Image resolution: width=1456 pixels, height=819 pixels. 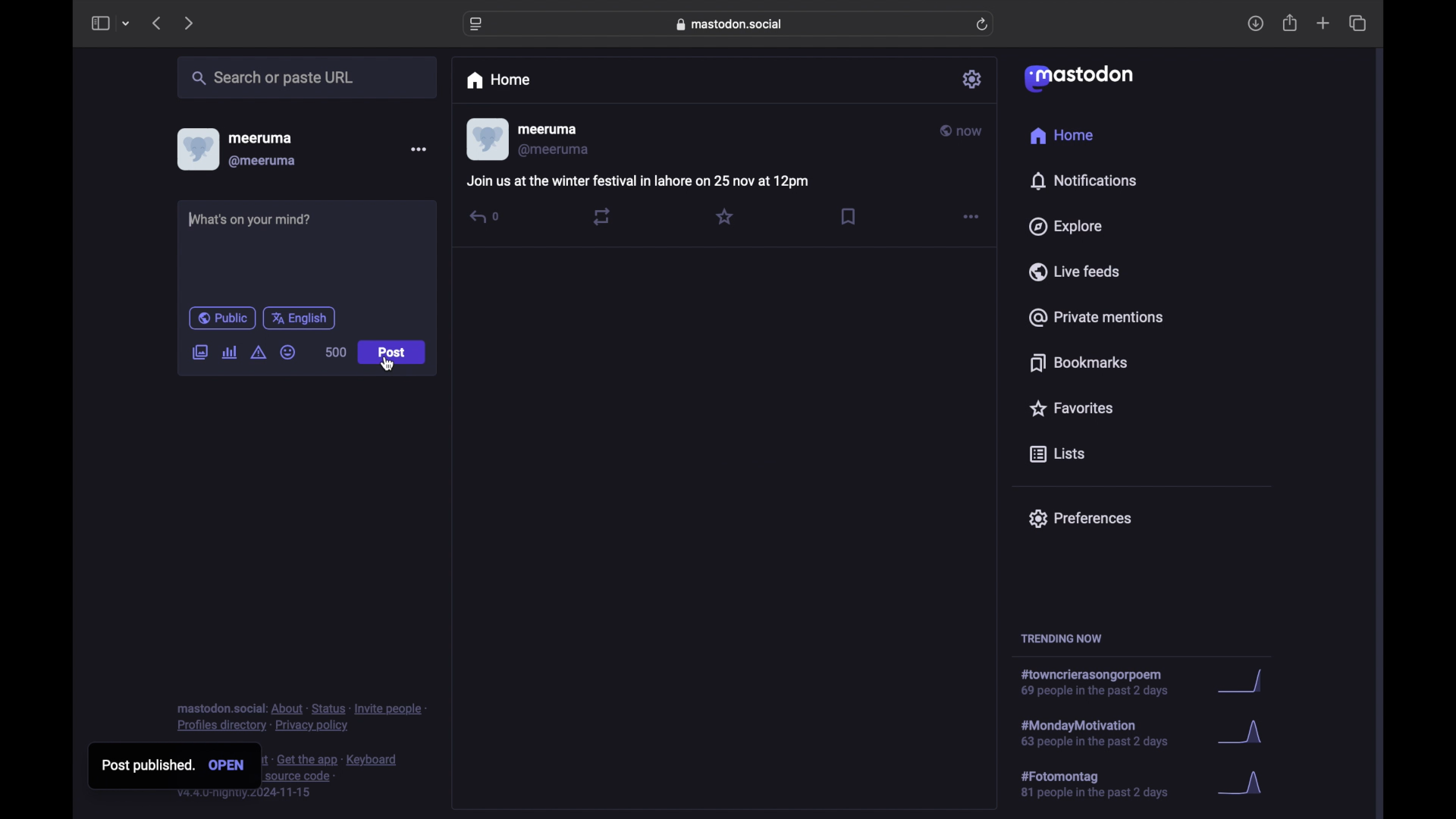 What do you see at coordinates (1078, 362) in the screenshot?
I see `bookmarks` at bounding box center [1078, 362].